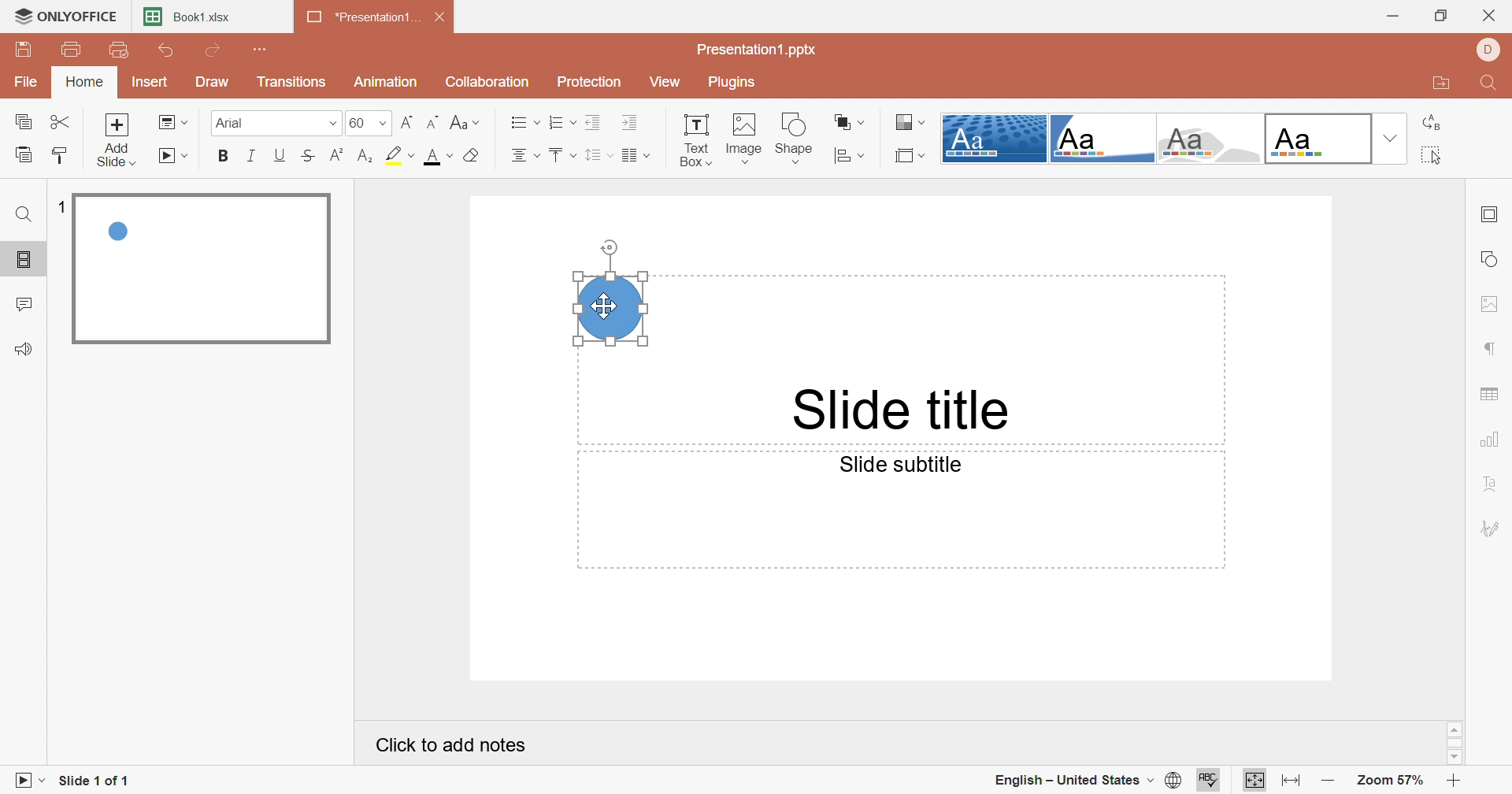 The image size is (1512, 794). I want to click on Home, so click(84, 81).